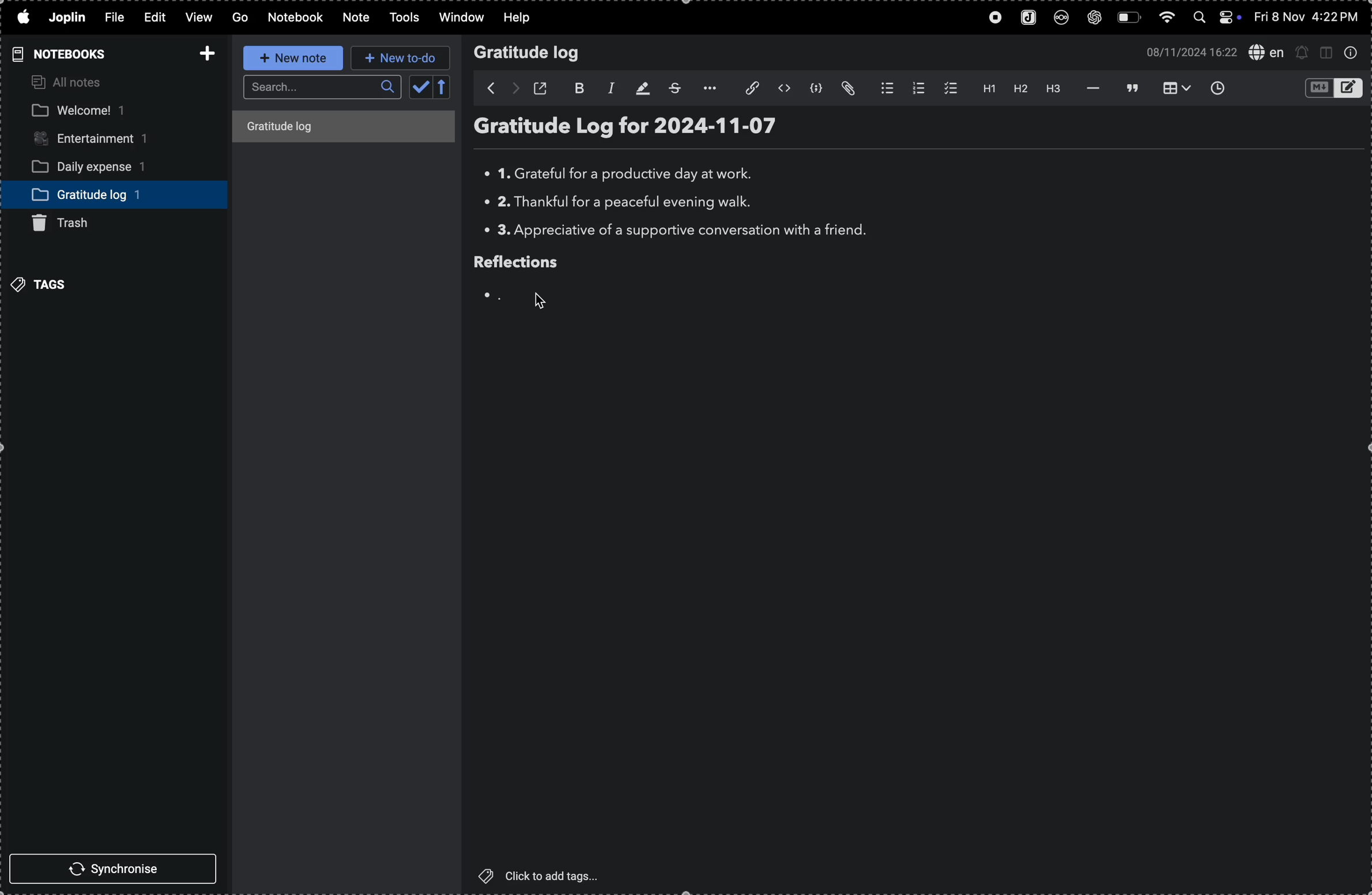 The width and height of the screenshot is (1372, 895). Describe the element at coordinates (847, 90) in the screenshot. I see `attach file` at that location.